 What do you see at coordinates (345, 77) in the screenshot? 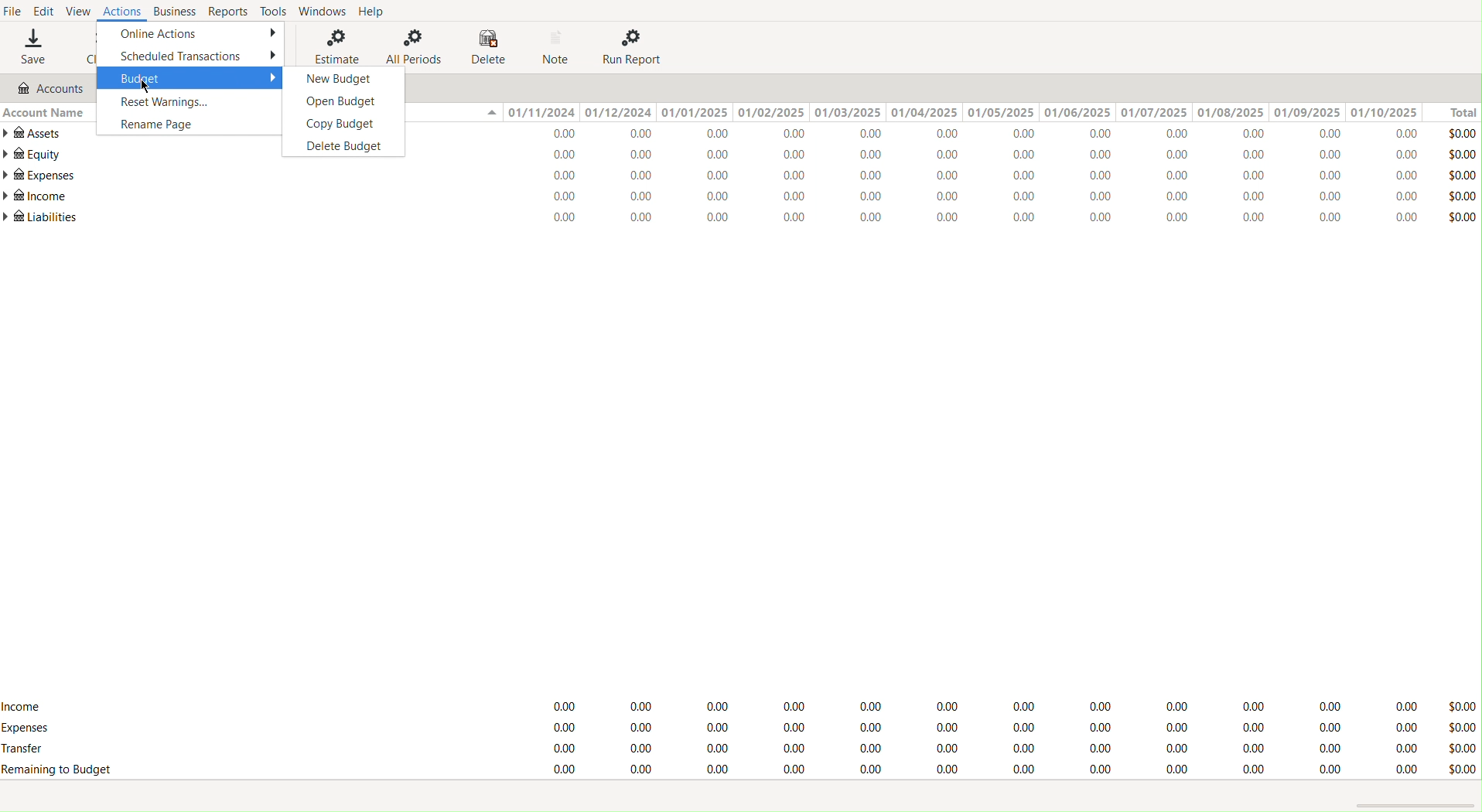
I see `New Budget` at bounding box center [345, 77].